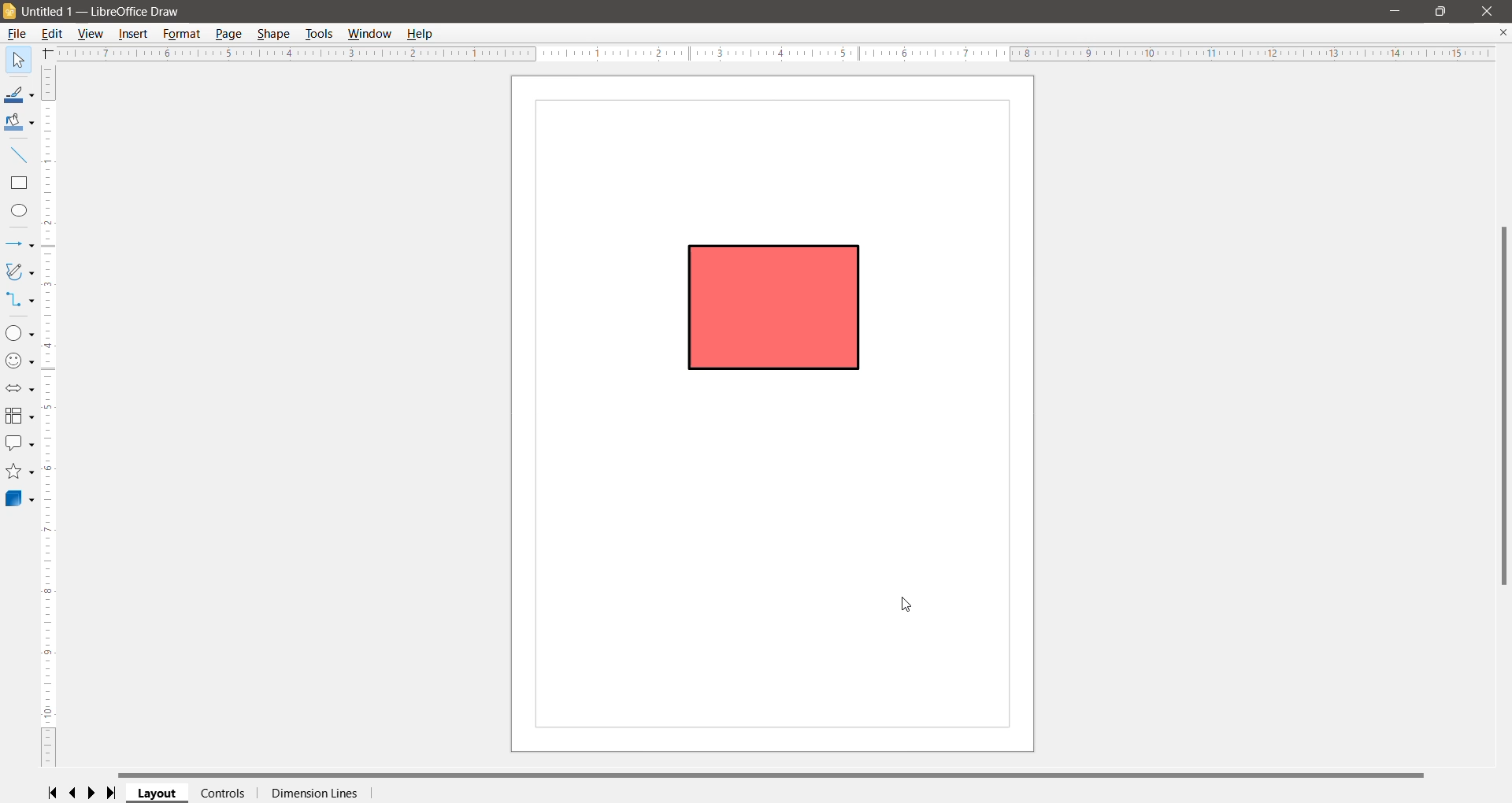 Image resolution: width=1512 pixels, height=803 pixels. I want to click on Insert Line, so click(20, 155).